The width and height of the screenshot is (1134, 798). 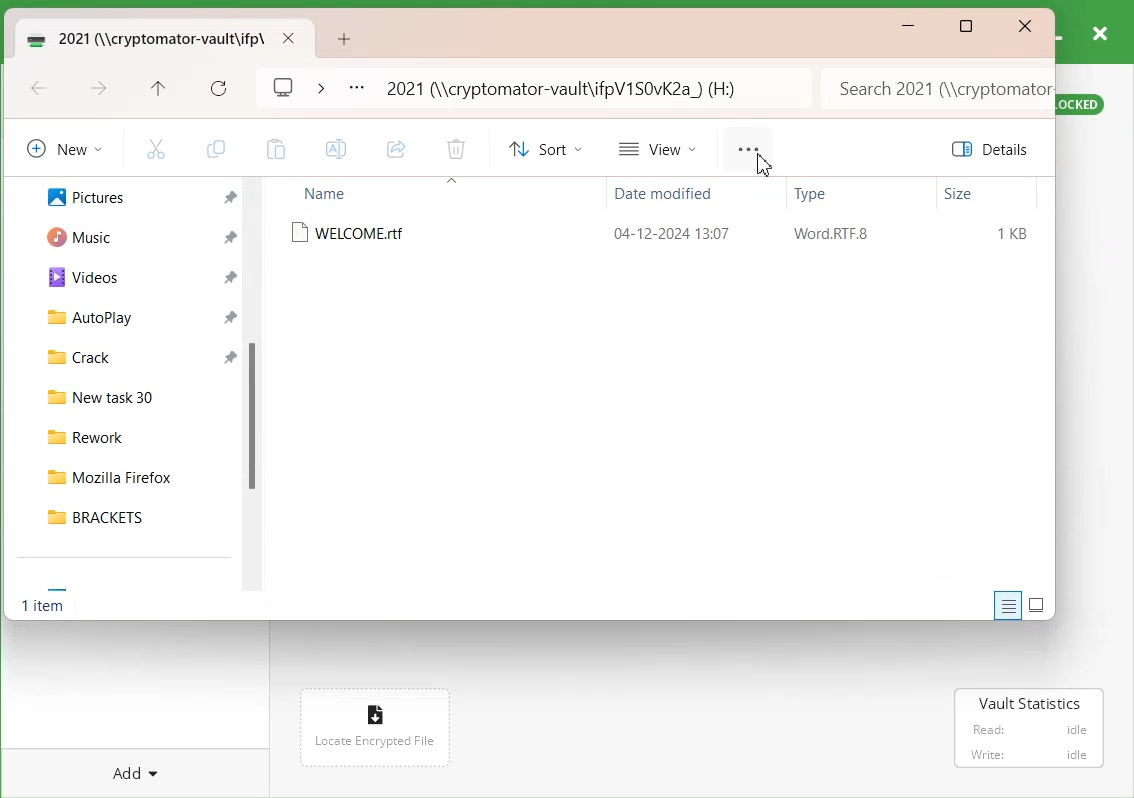 What do you see at coordinates (344, 39) in the screenshot?
I see `Add new Tab` at bounding box center [344, 39].